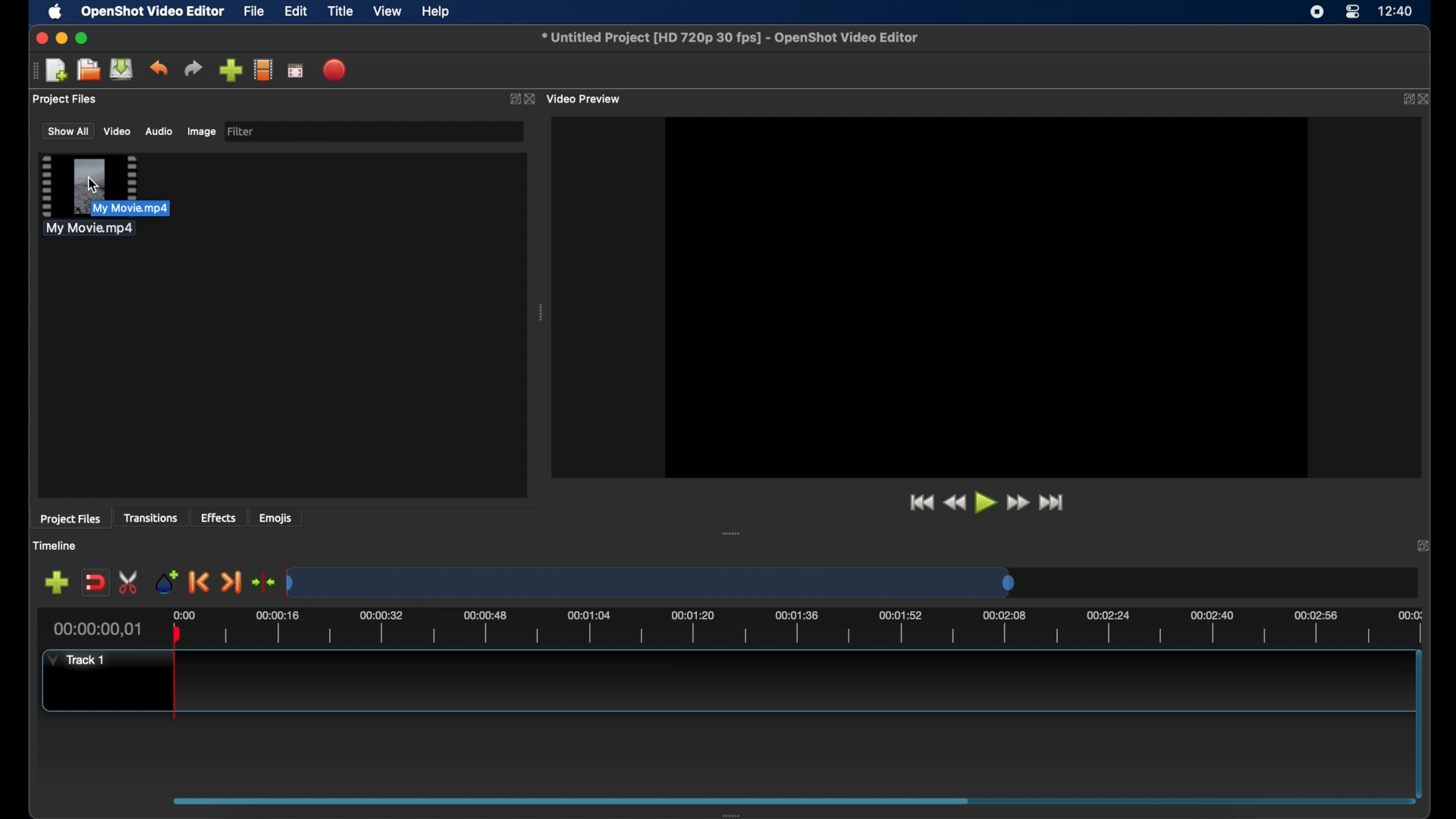 The height and width of the screenshot is (819, 1456). What do you see at coordinates (218, 517) in the screenshot?
I see `effects` at bounding box center [218, 517].